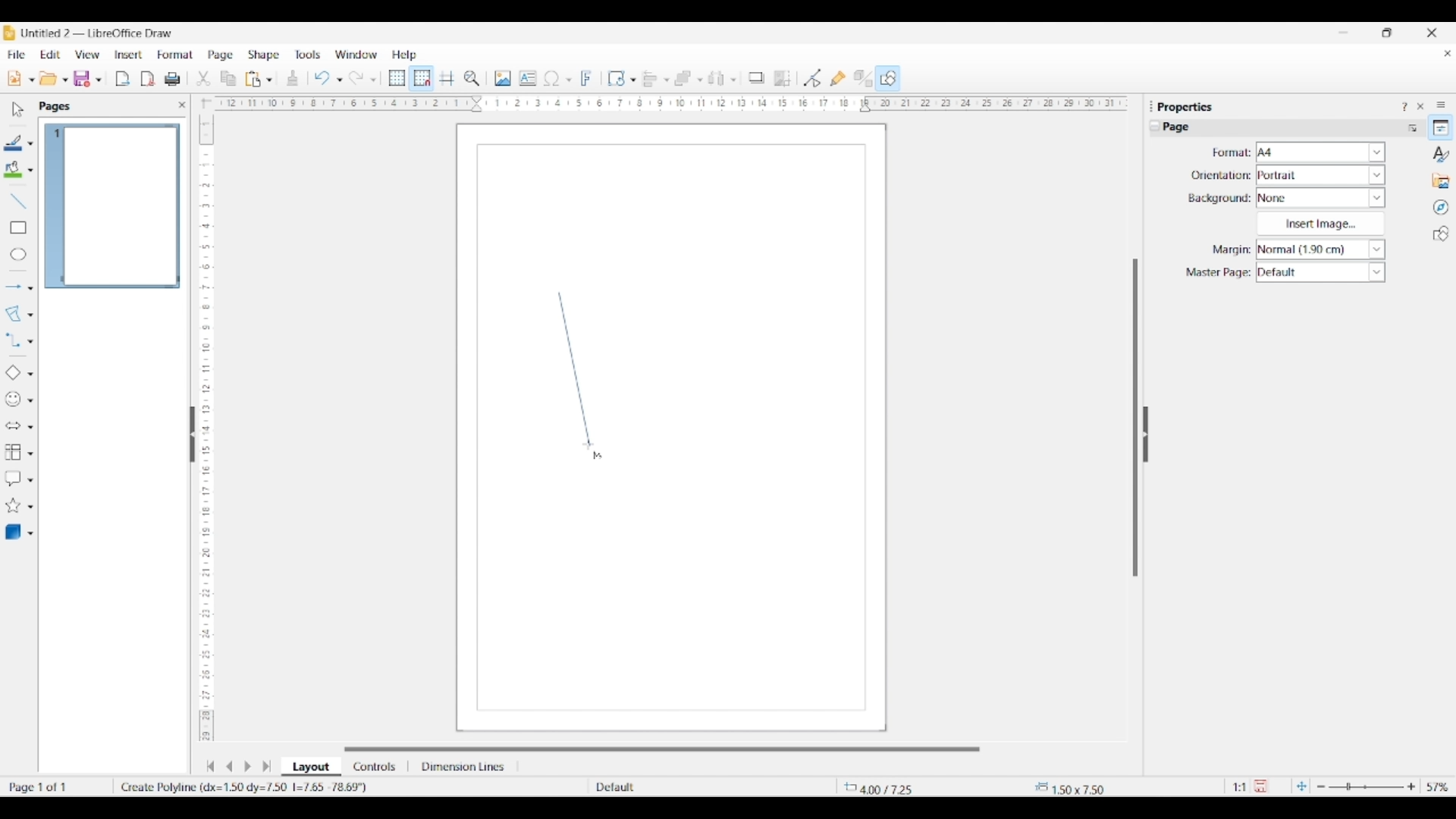 This screenshot has height=819, width=1456. Describe the element at coordinates (204, 421) in the screenshot. I see `Vertical ruler` at that location.